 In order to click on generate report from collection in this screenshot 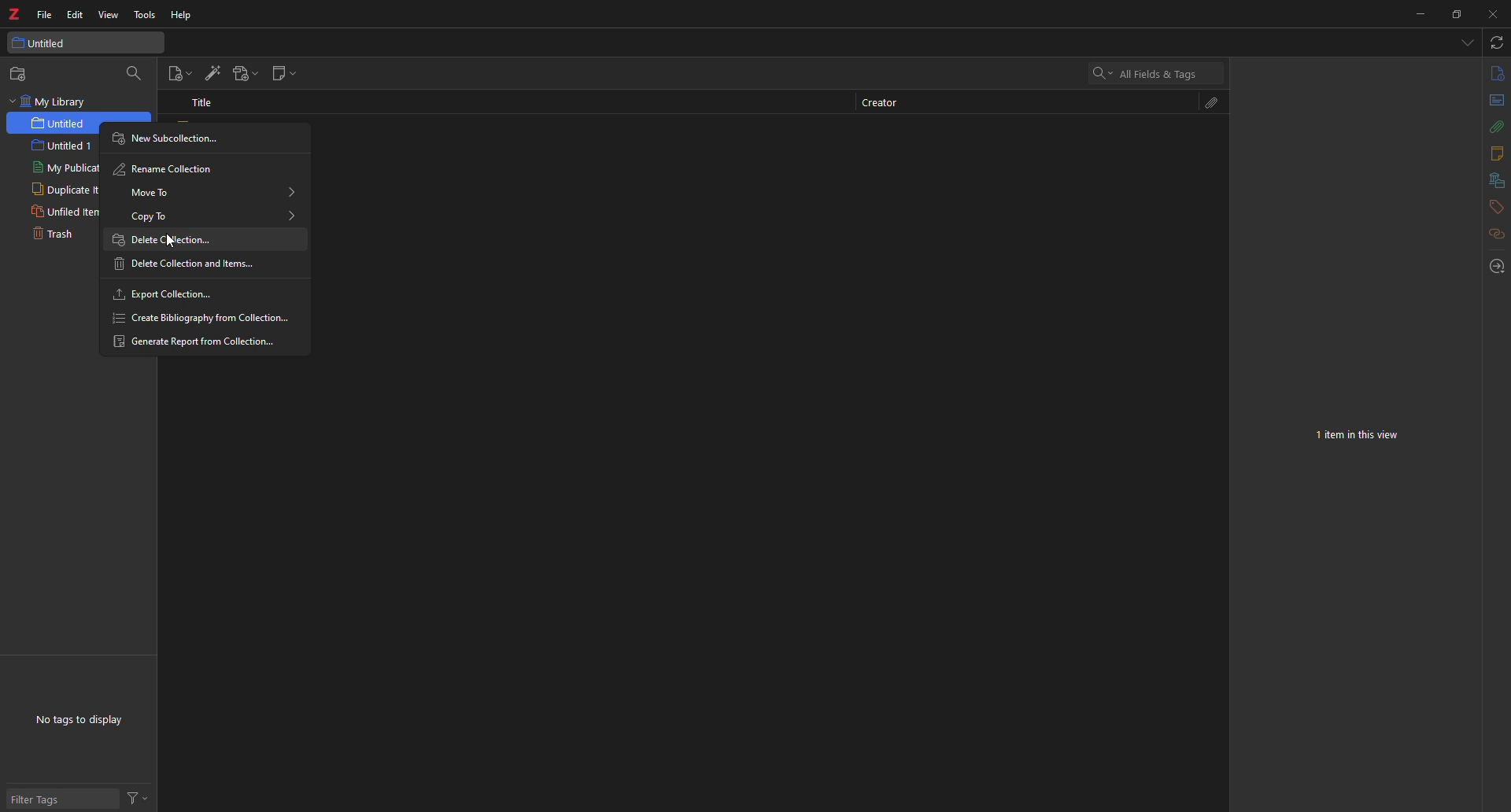, I will do `click(190, 344)`.